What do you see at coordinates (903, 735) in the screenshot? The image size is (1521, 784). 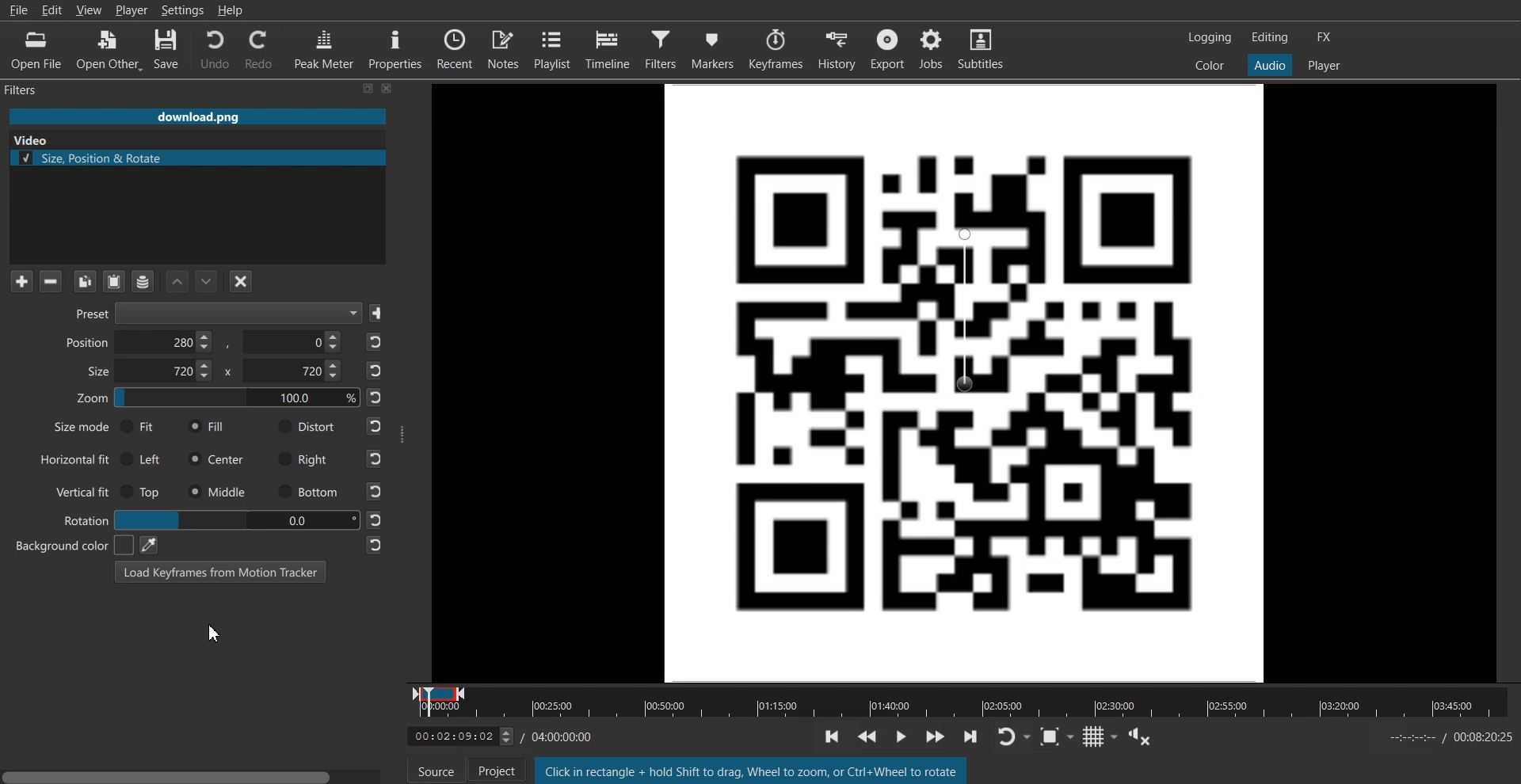 I see `Toggle play or pause` at bounding box center [903, 735].